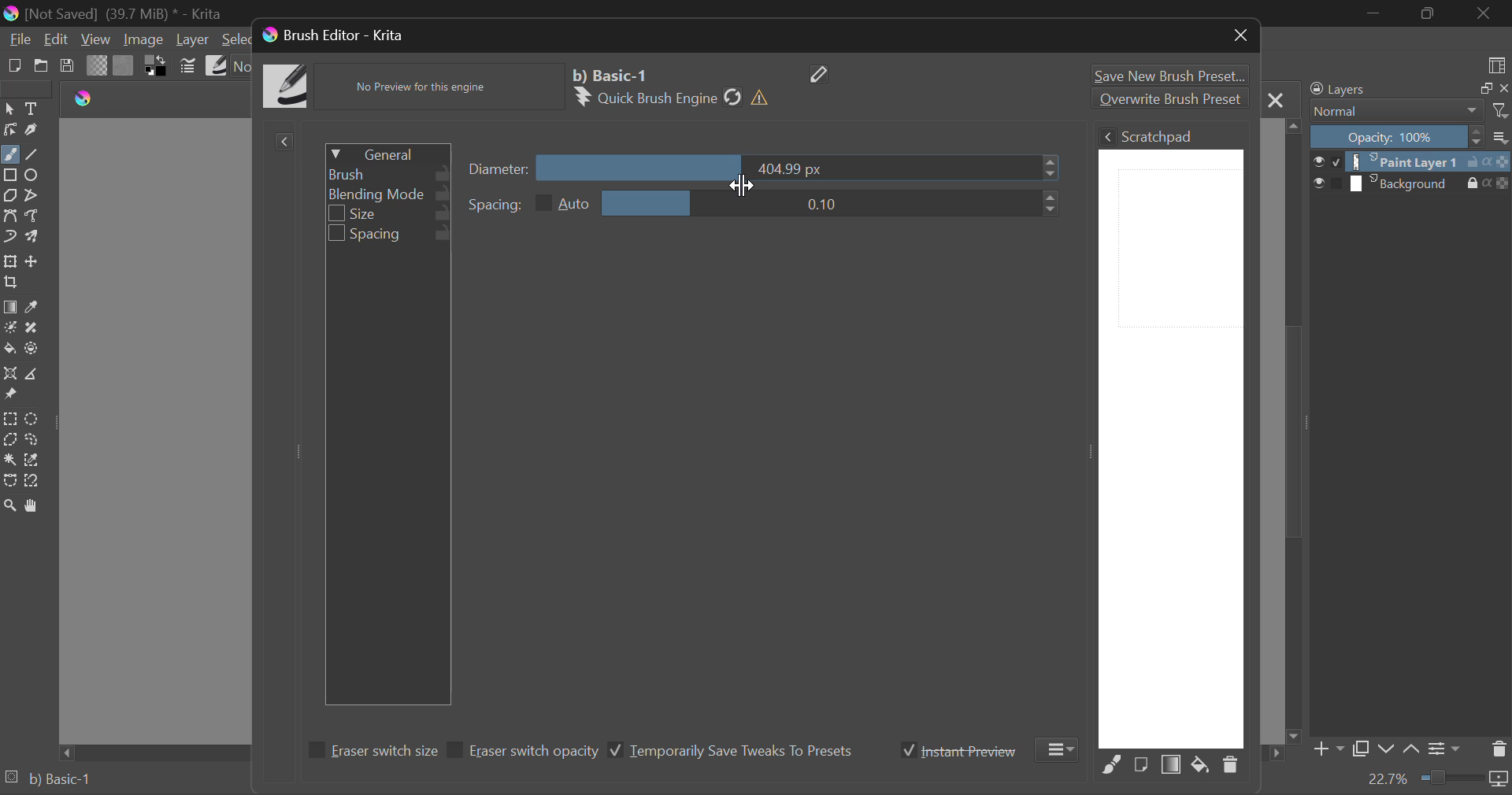  What do you see at coordinates (388, 194) in the screenshot?
I see `Blending Mode` at bounding box center [388, 194].